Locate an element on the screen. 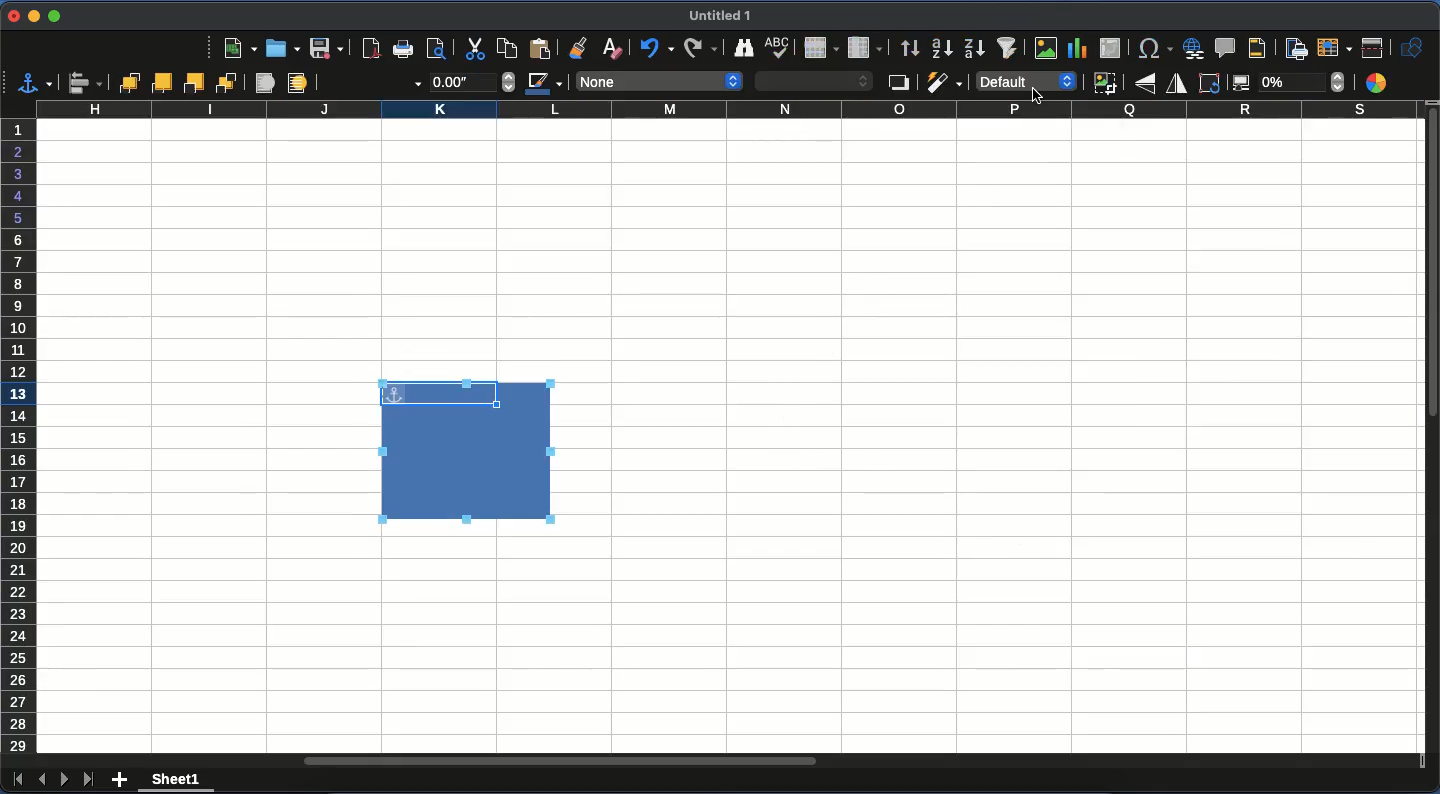 This screenshot has width=1440, height=794. line color is located at coordinates (544, 86).